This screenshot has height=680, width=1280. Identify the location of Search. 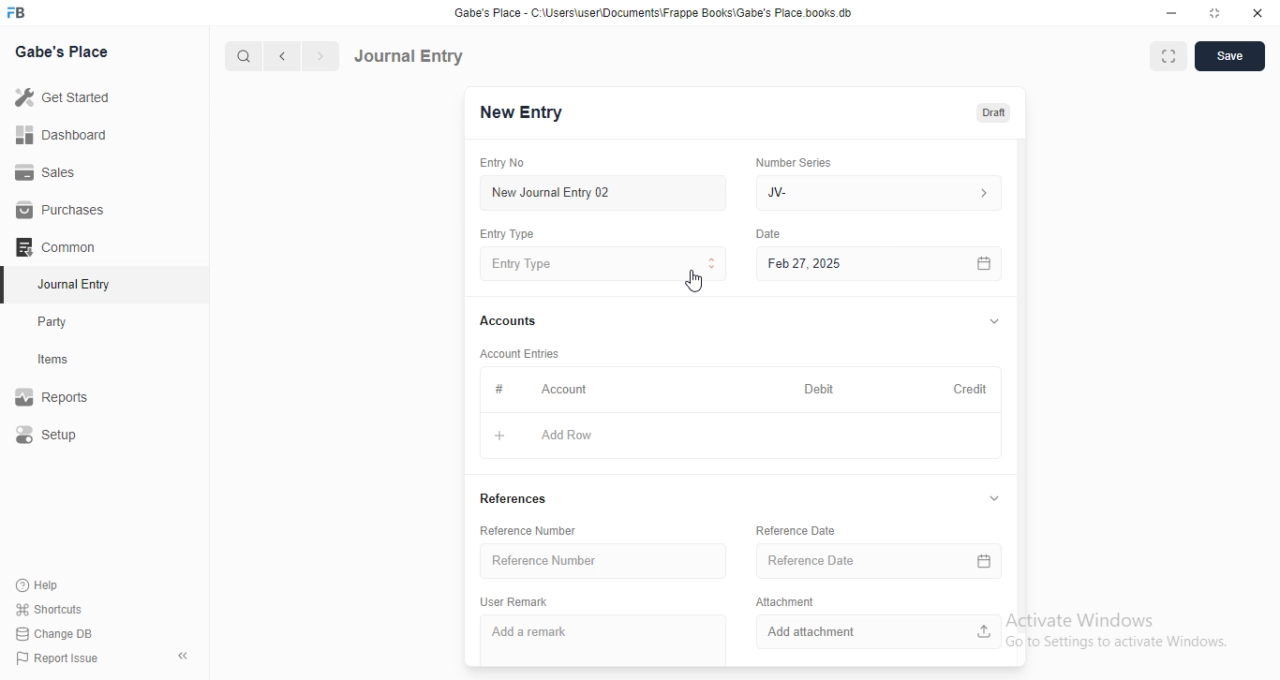
(239, 56).